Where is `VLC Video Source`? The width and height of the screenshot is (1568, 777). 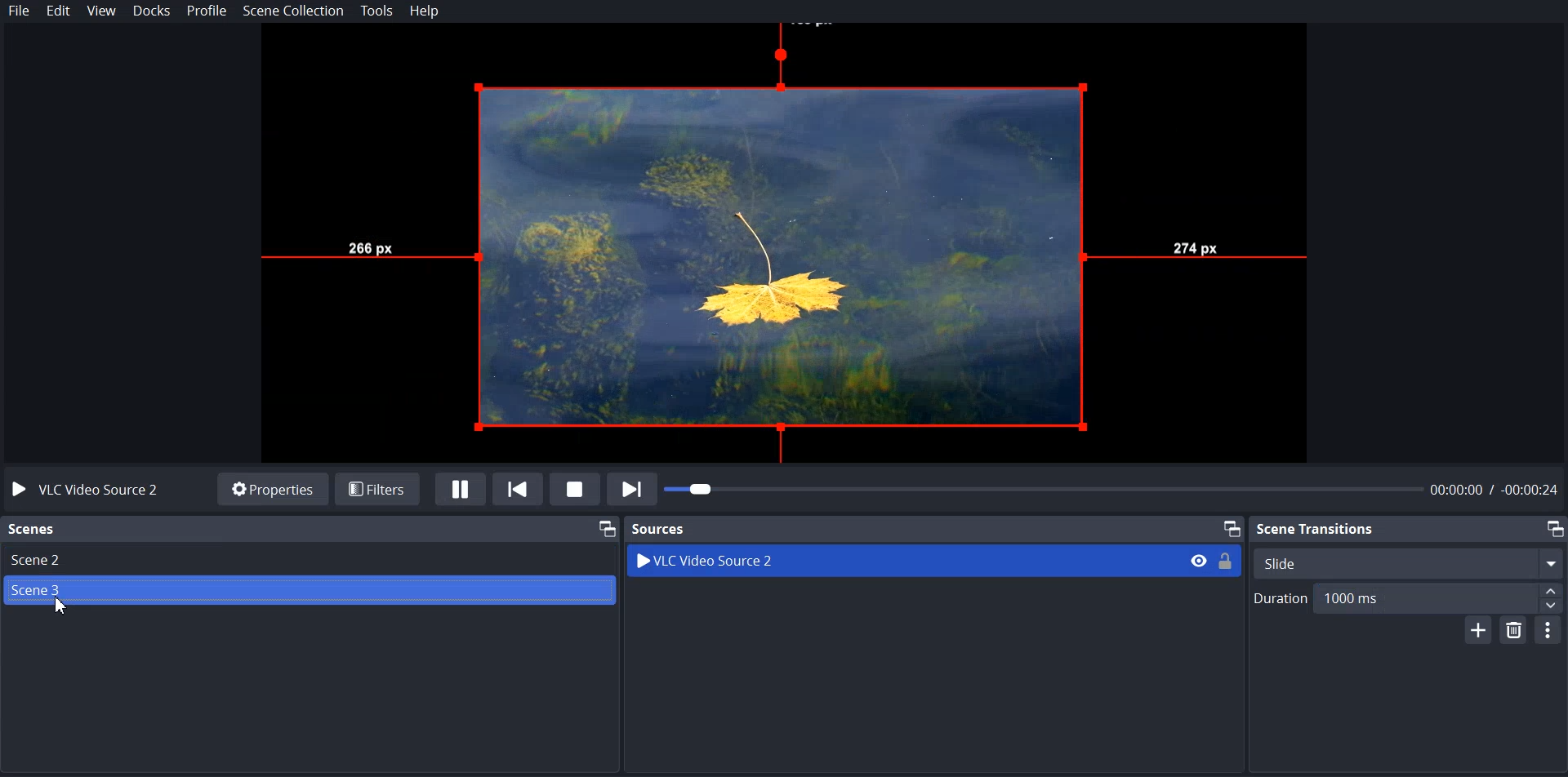 VLC Video Source is located at coordinates (83, 491).